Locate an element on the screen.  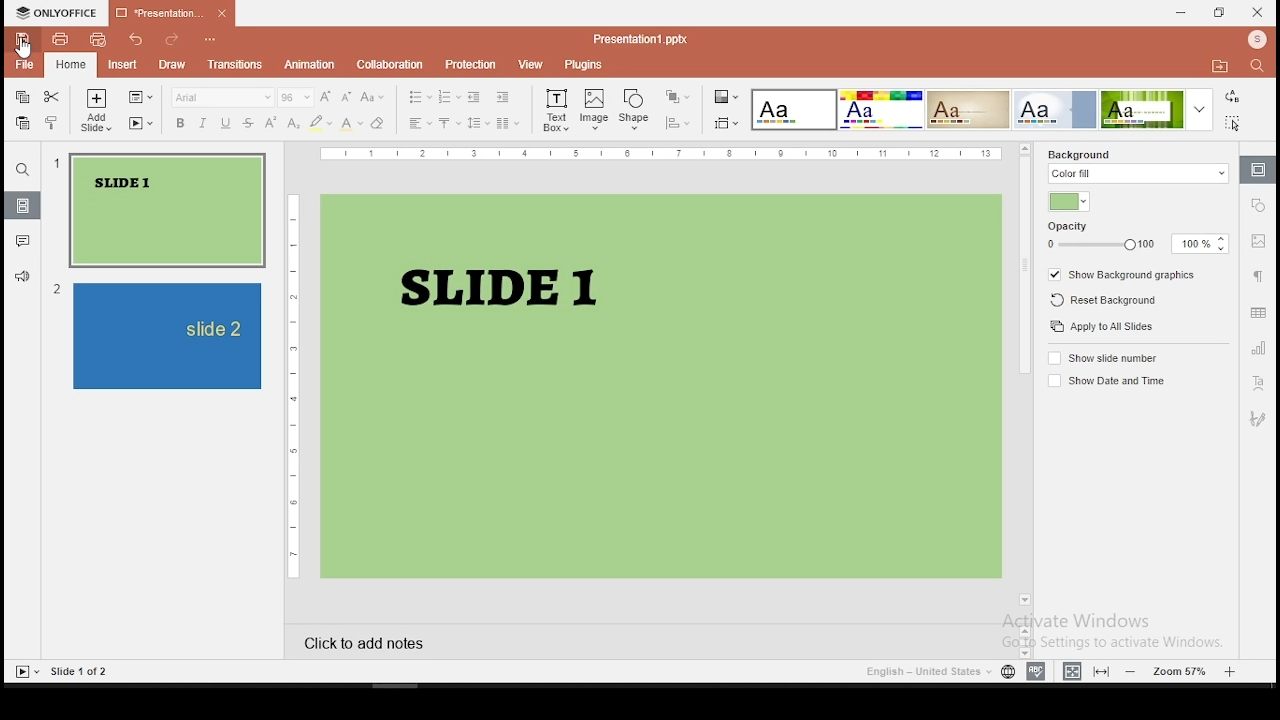
italics is located at coordinates (203, 122).